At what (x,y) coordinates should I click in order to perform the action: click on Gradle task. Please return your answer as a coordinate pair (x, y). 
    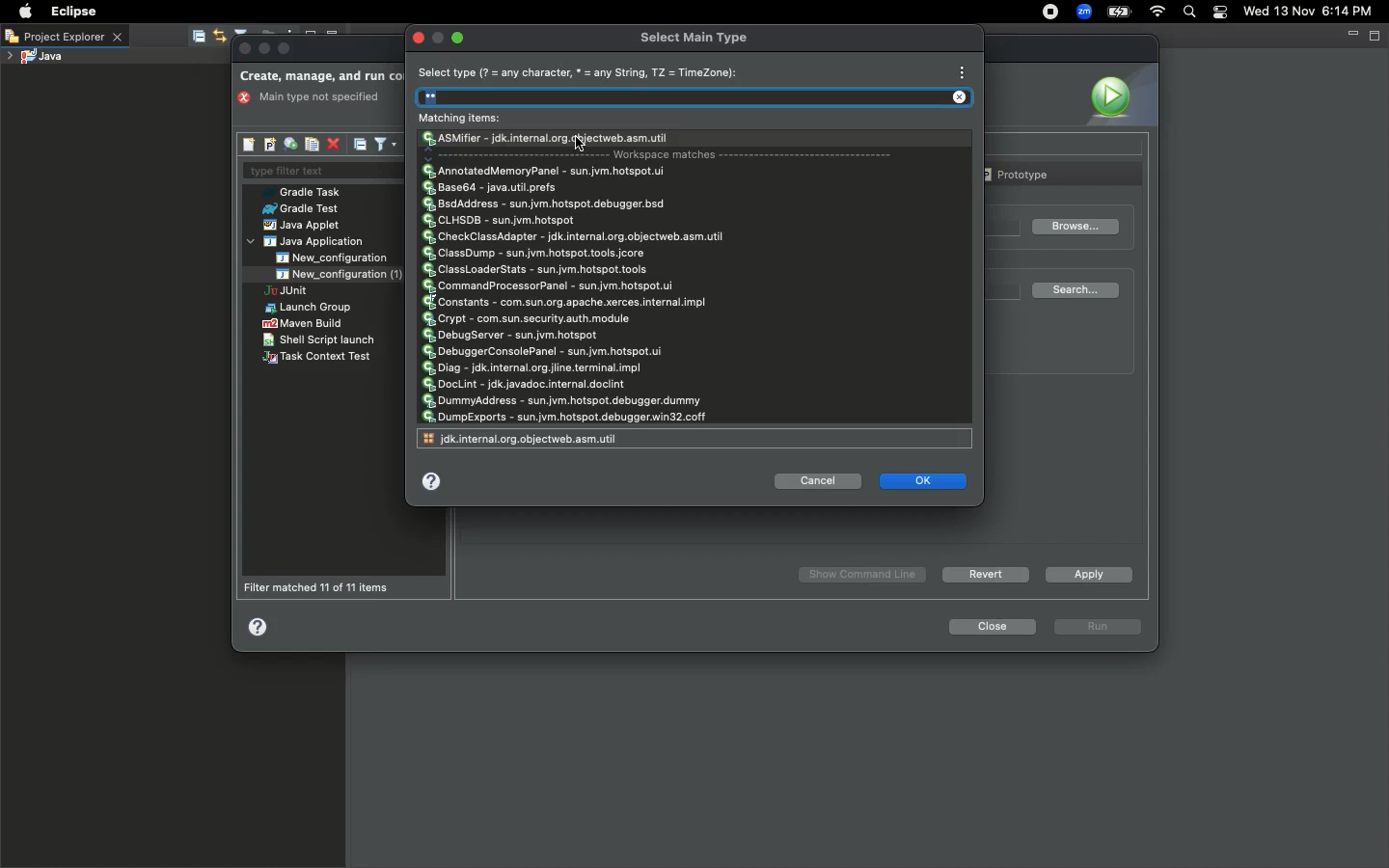
    Looking at the image, I should click on (308, 192).